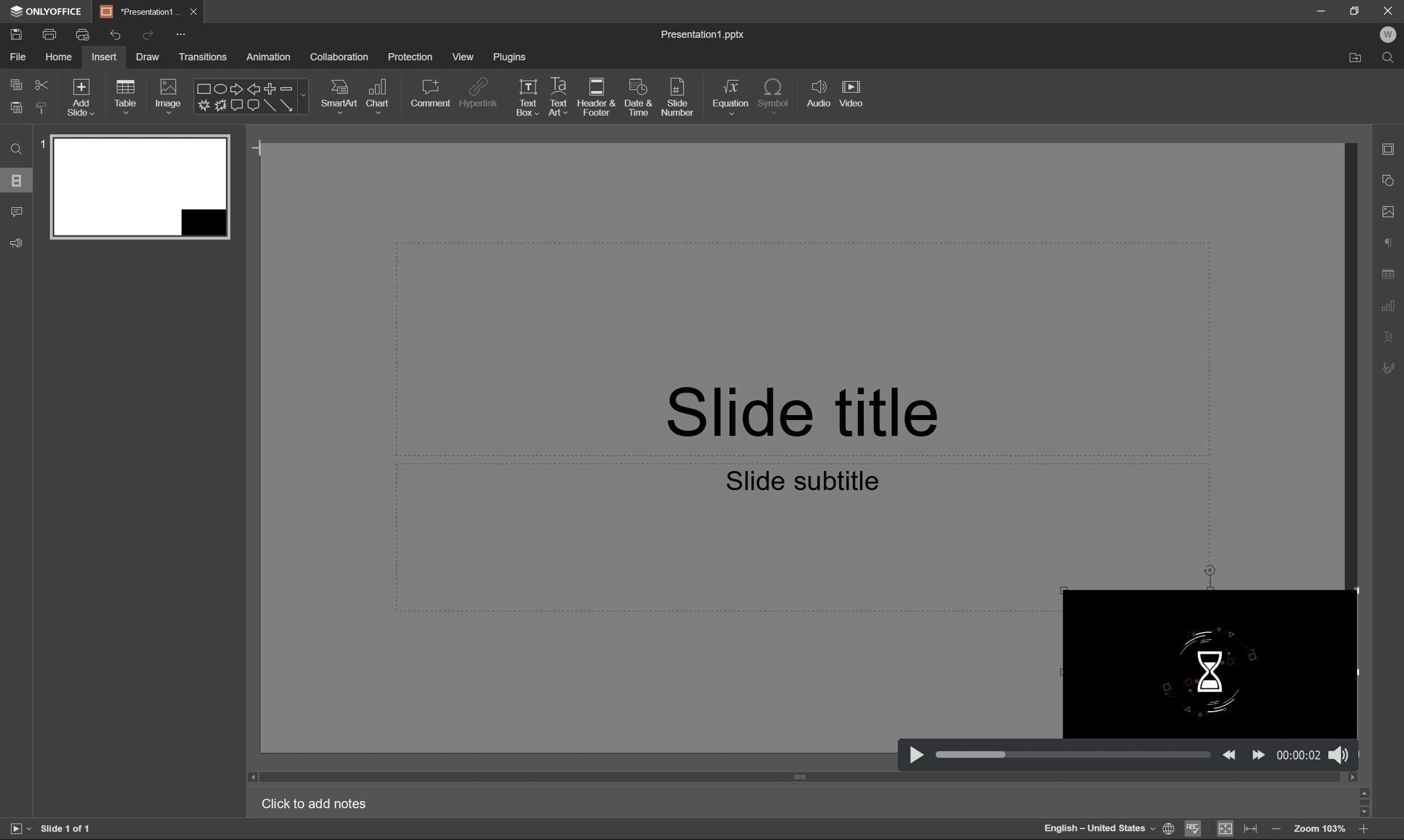 The image size is (1404, 840). What do you see at coordinates (1249, 827) in the screenshot?
I see `fit to width` at bounding box center [1249, 827].